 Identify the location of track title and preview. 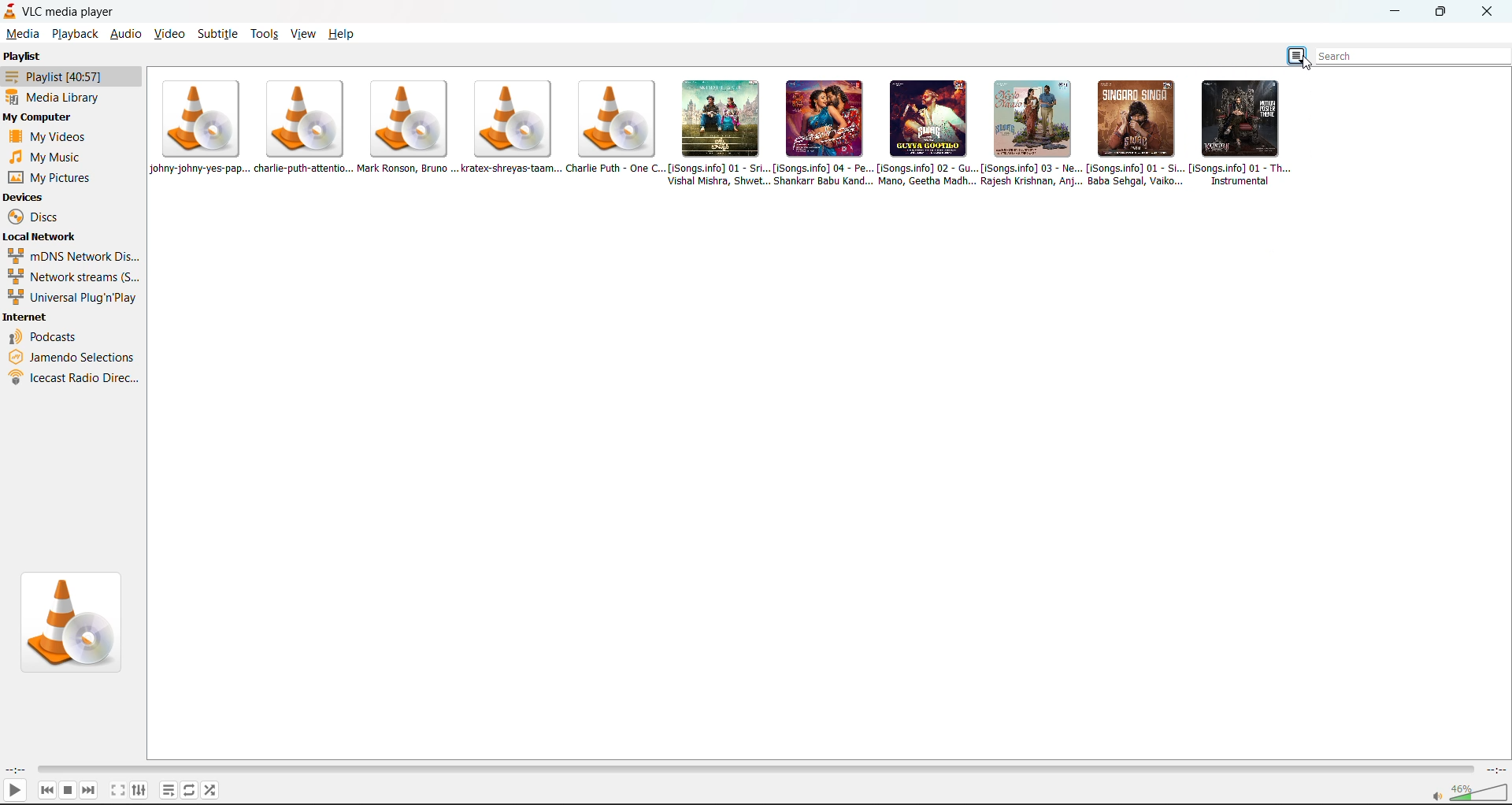
(509, 129).